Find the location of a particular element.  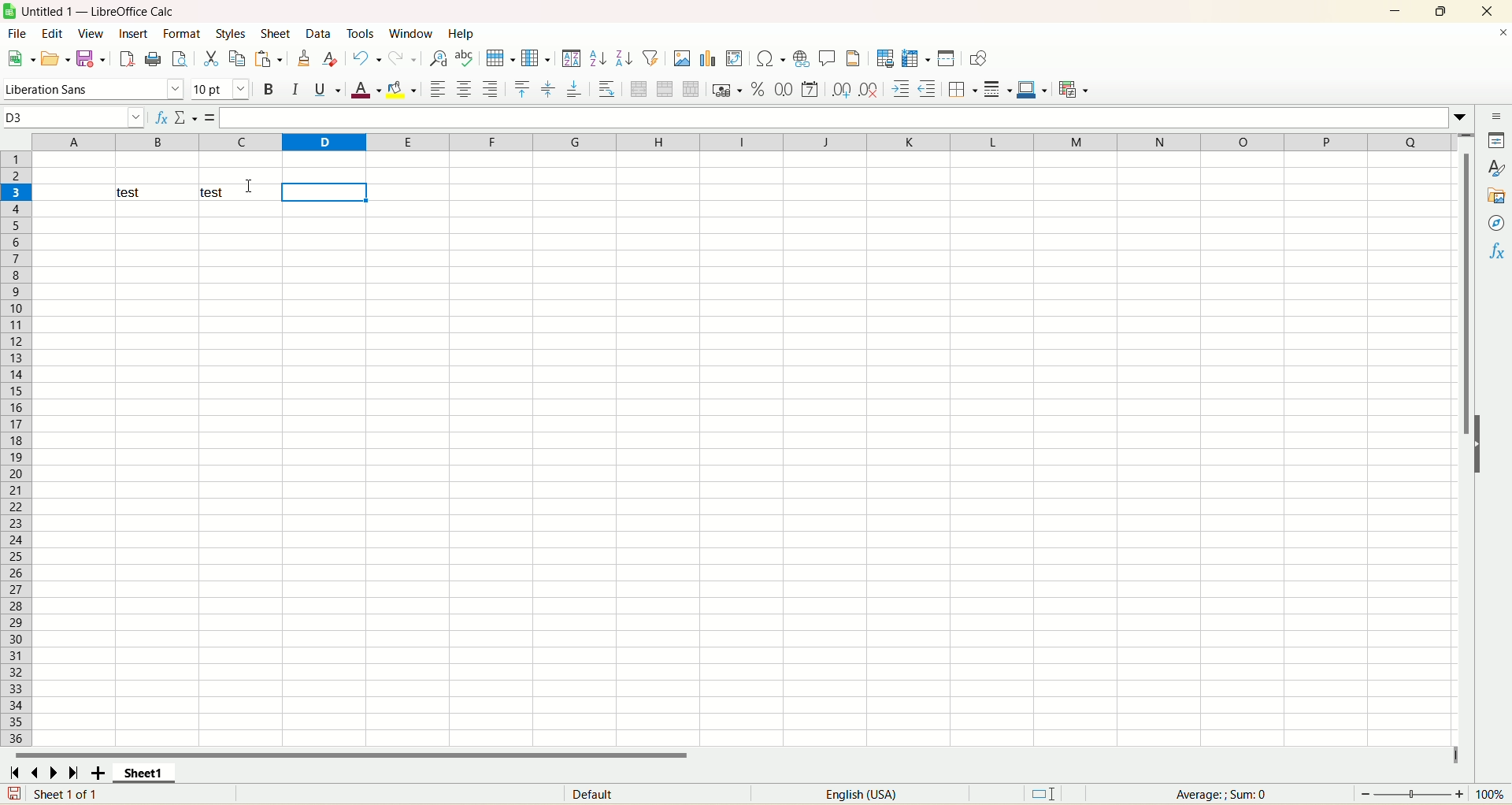

Navigator is located at coordinates (1495, 223).